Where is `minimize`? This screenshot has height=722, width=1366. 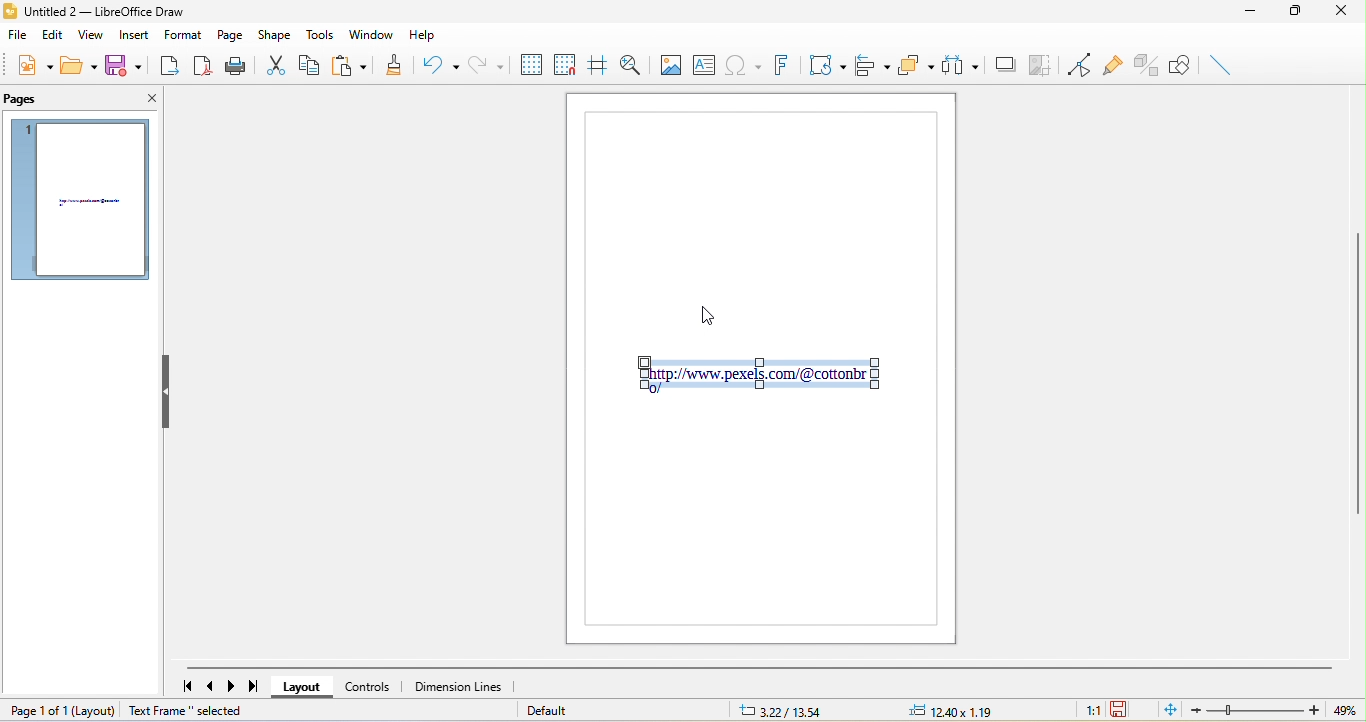
minimize is located at coordinates (1250, 11).